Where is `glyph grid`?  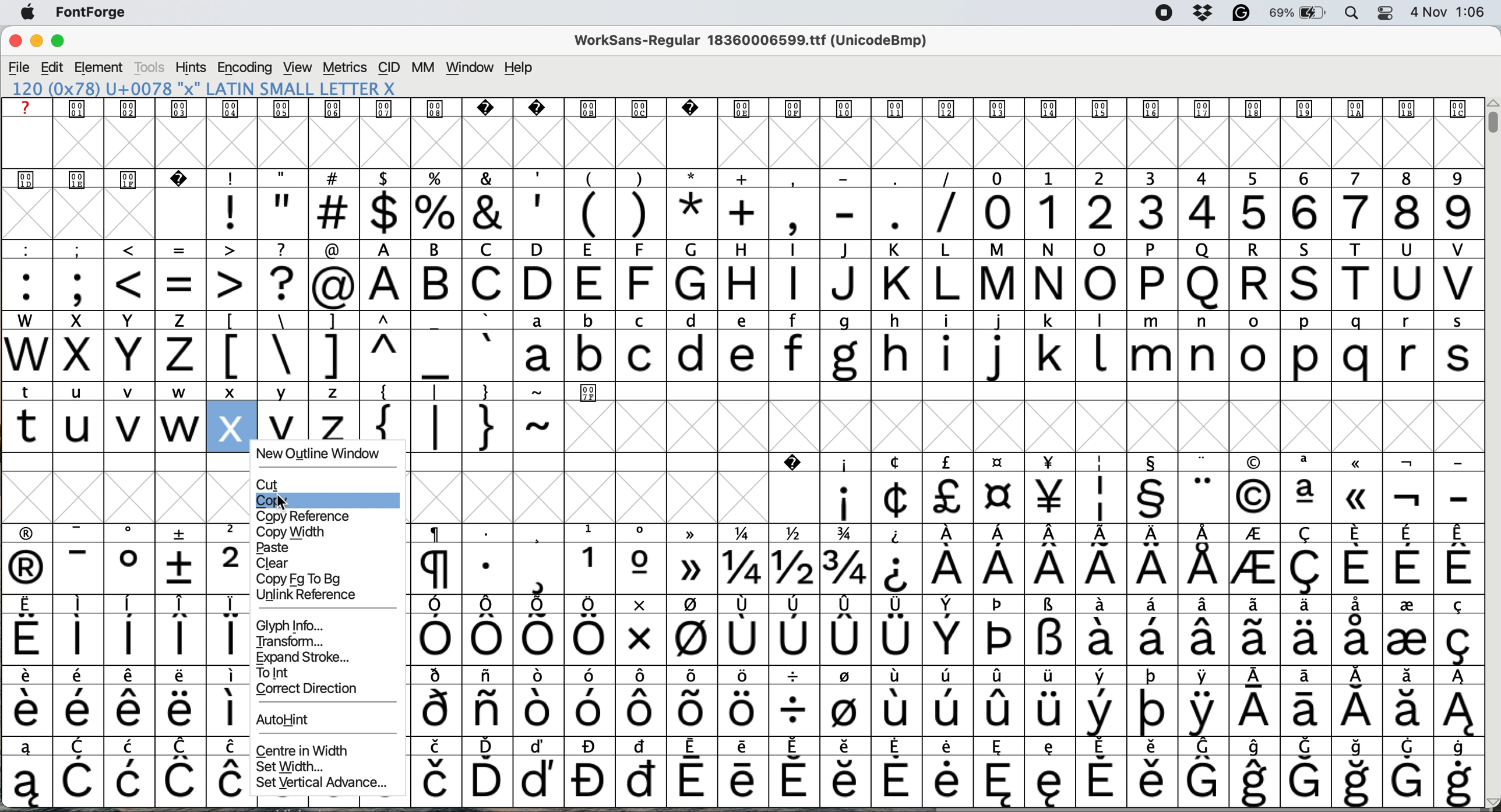 glyph grid is located at coordinates (108, 217).